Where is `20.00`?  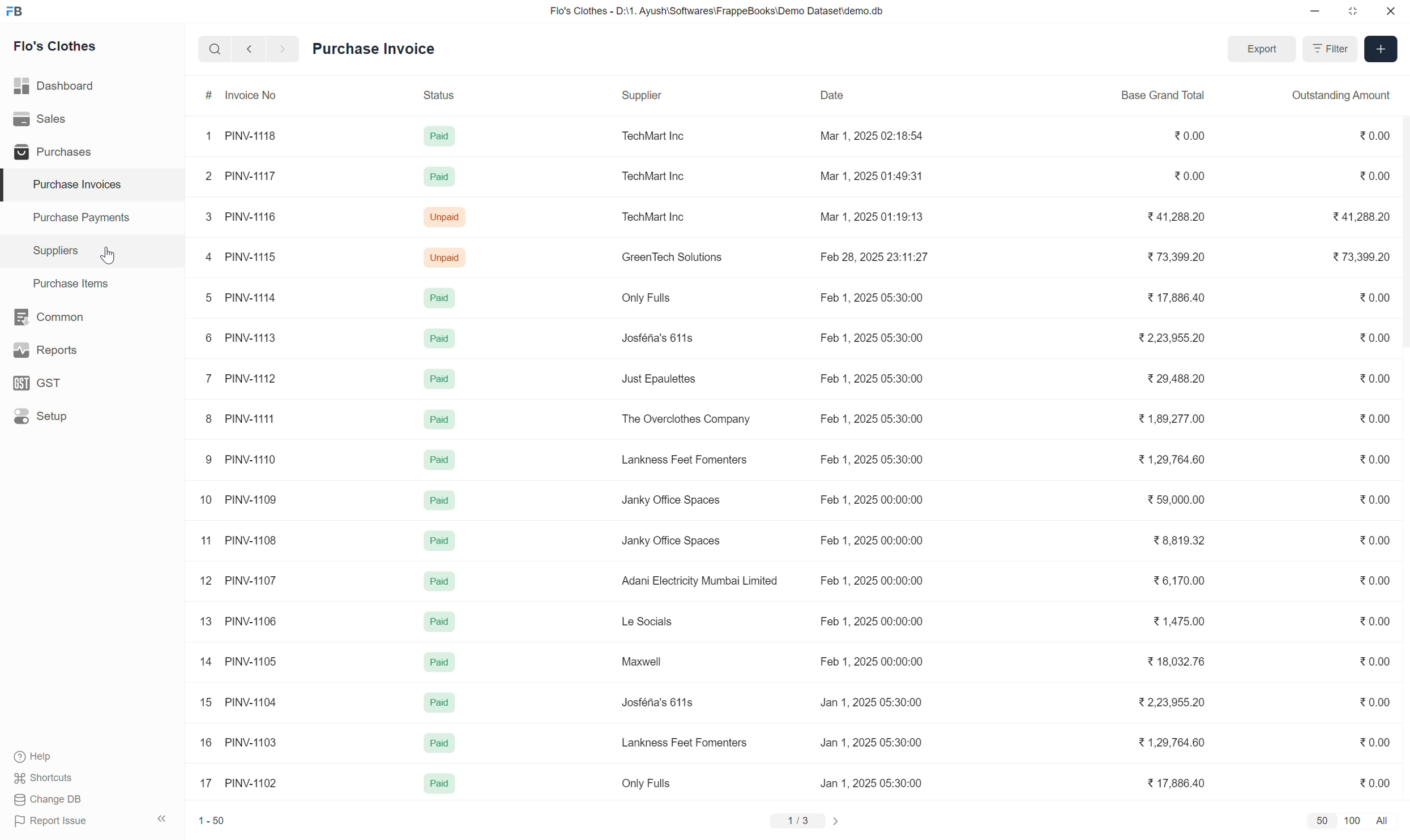 20.00 is located at coordinates (1187, 173).